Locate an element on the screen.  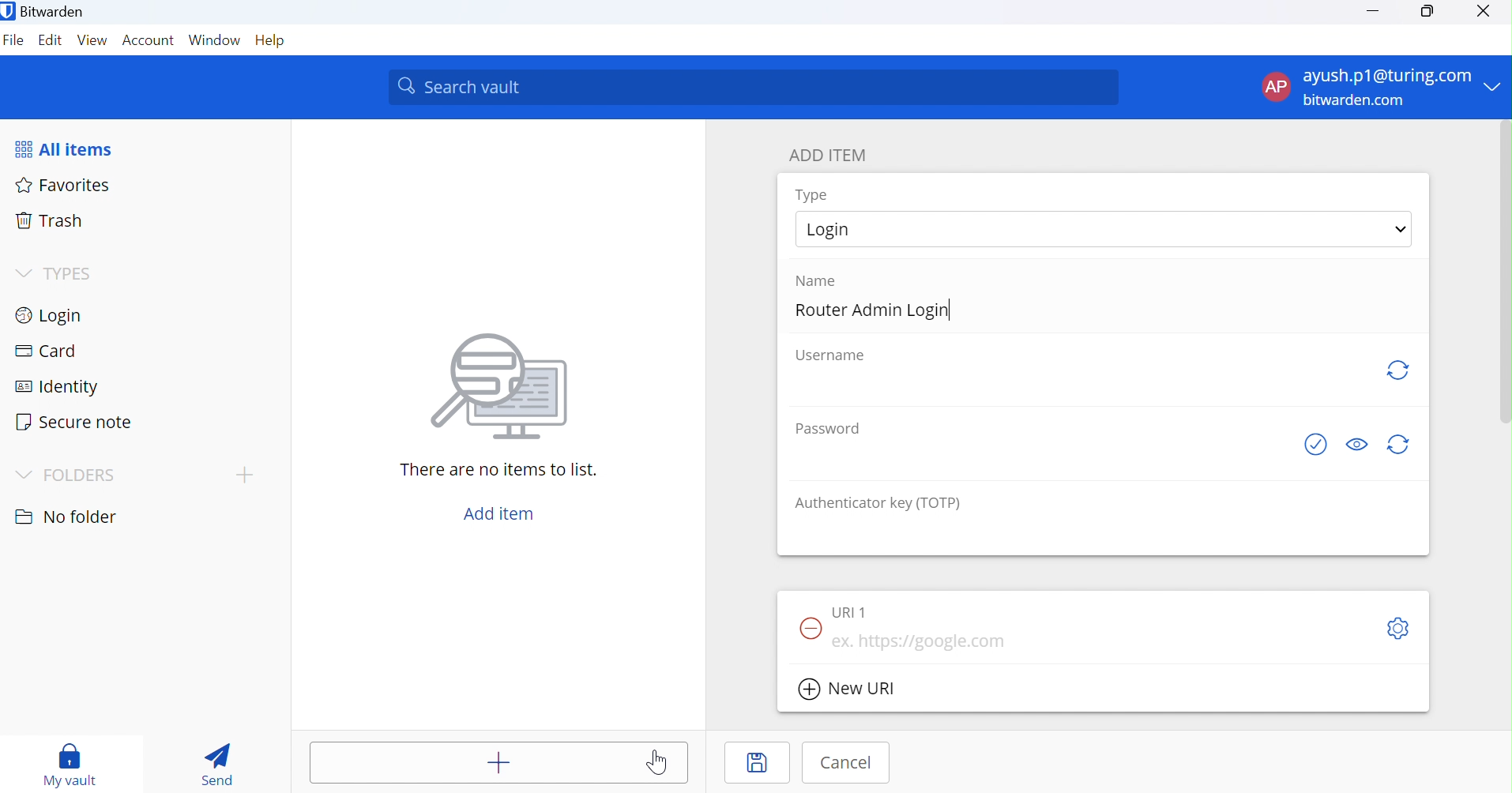
vertical scrollbar is located at coordinates (1506, 272).